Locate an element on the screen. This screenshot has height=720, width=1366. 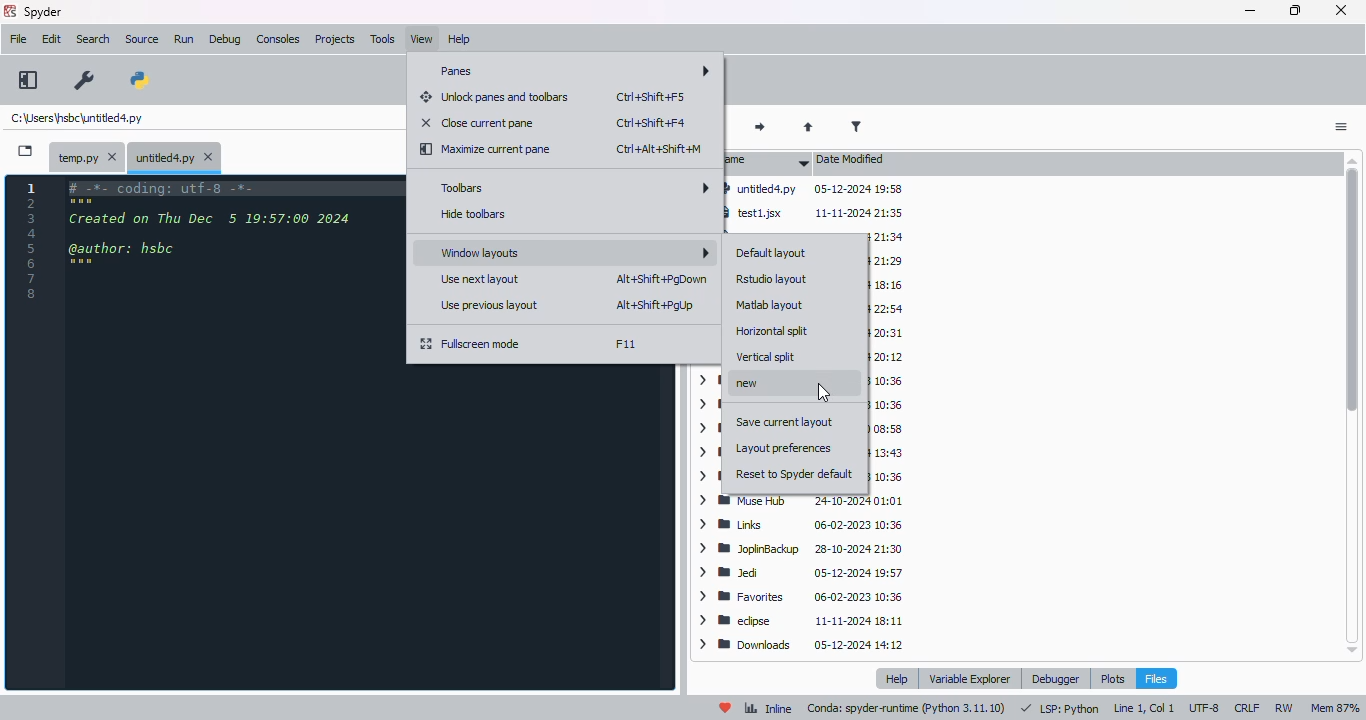
window layouts is located at coordinates (572, 251).